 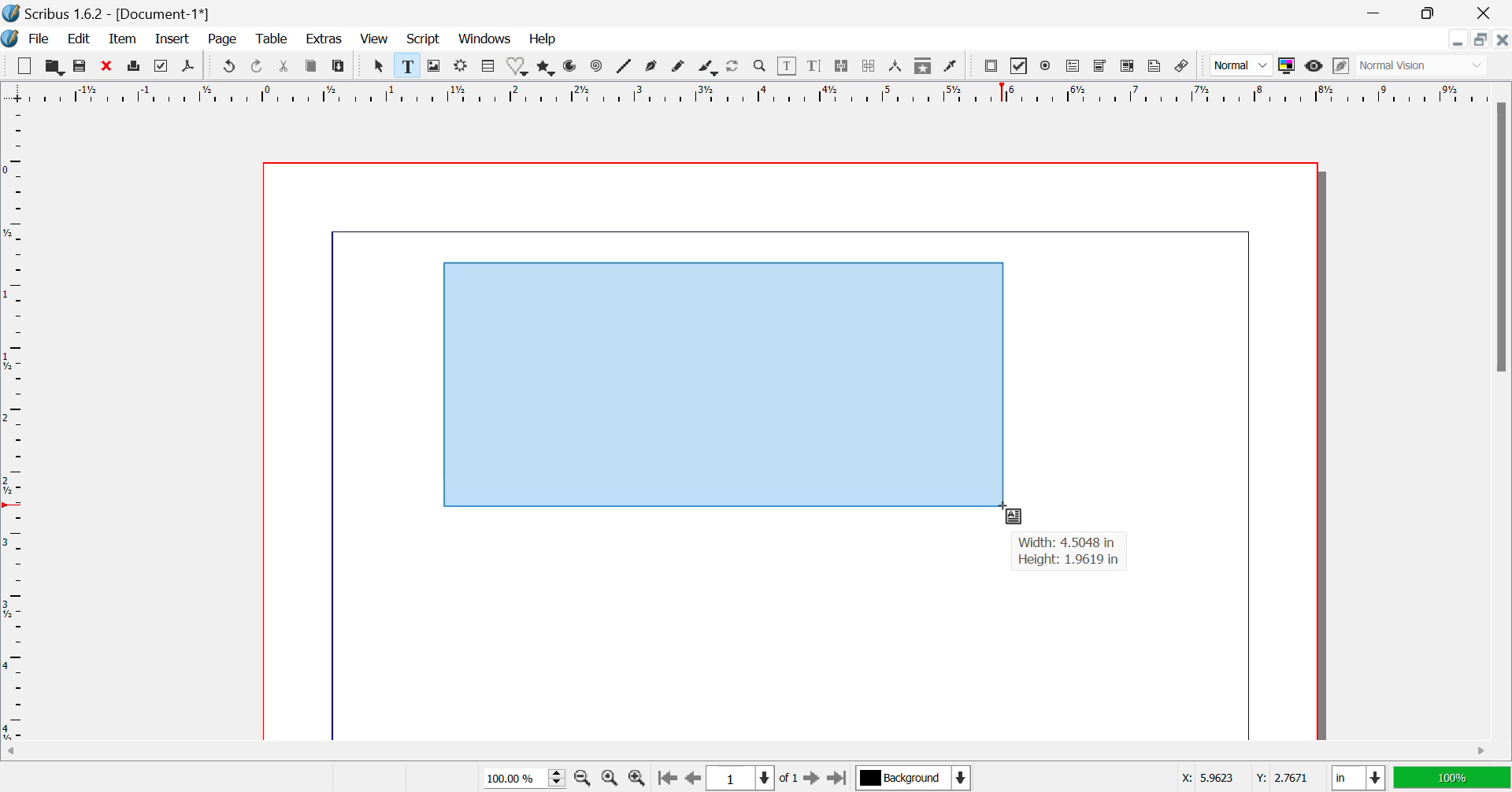 What do you see at coordinates (912, 777) in the screenshot?
I see `Background` at bounding box center [912, 777].